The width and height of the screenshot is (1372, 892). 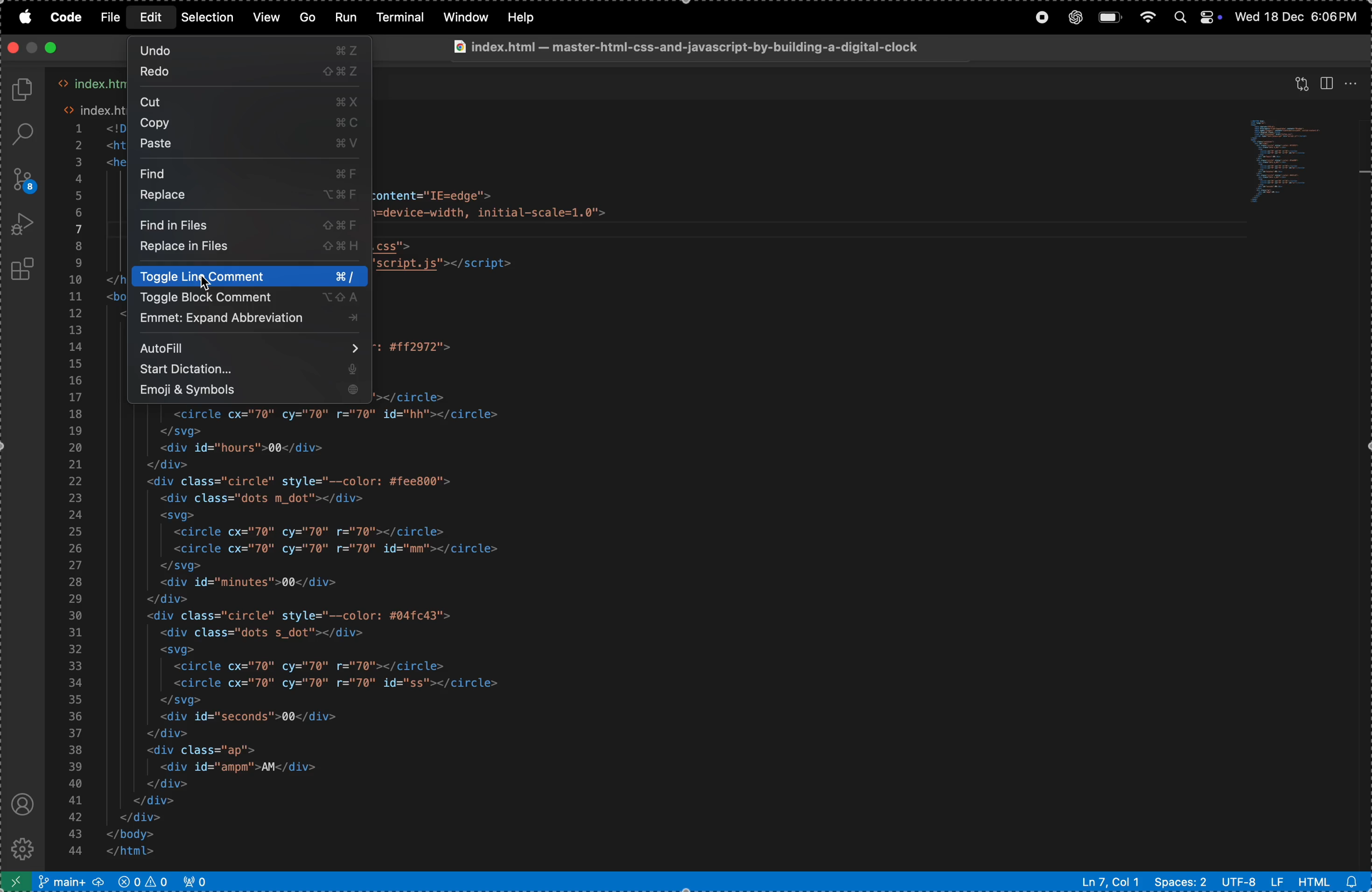 What do you see at coordinates (1109, 17) in the screenshot?
I see `battery` at bounding box center [1109, 17].